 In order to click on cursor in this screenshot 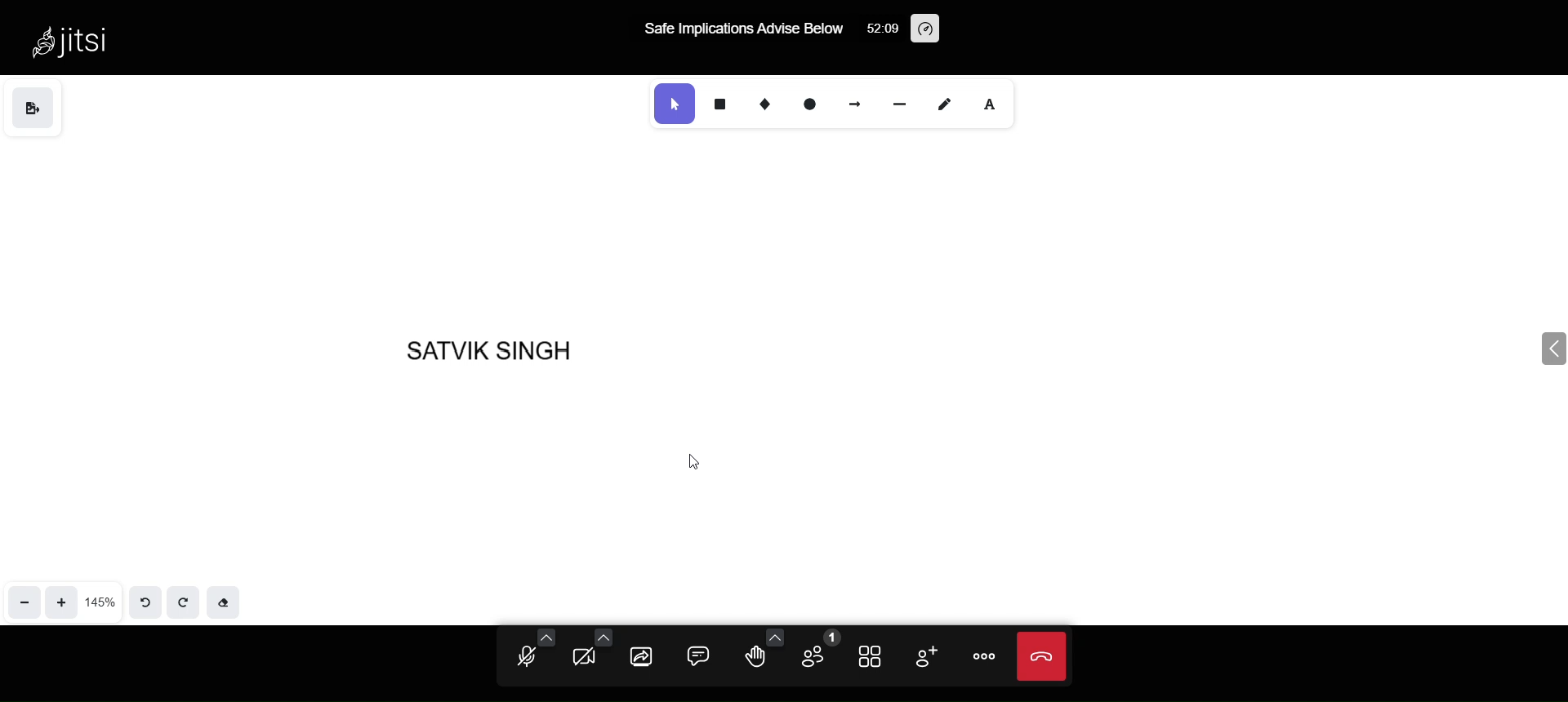, I will do `click(693, 462)`.